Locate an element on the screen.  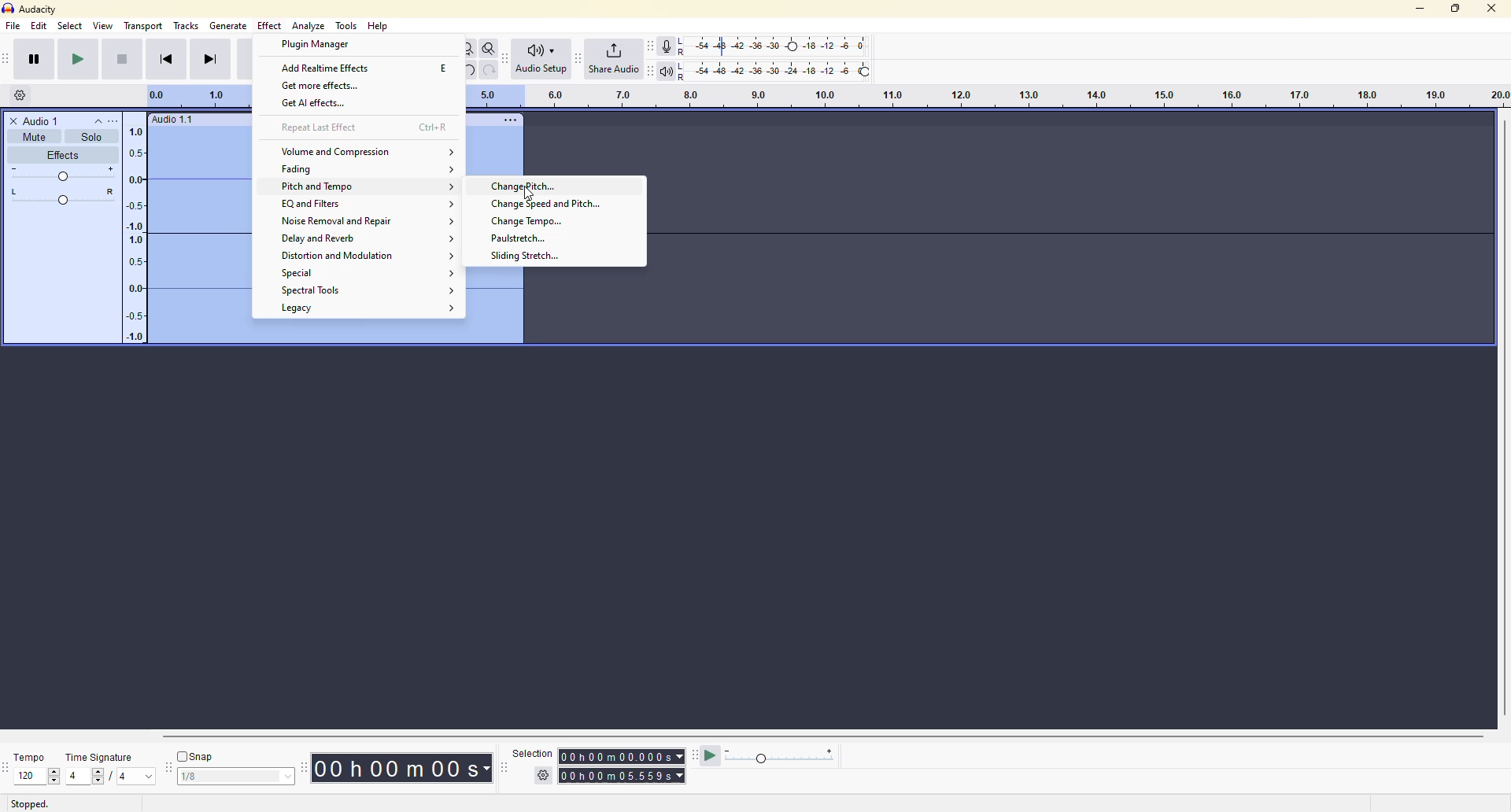
playback meter is located at coordinates (666, 70).